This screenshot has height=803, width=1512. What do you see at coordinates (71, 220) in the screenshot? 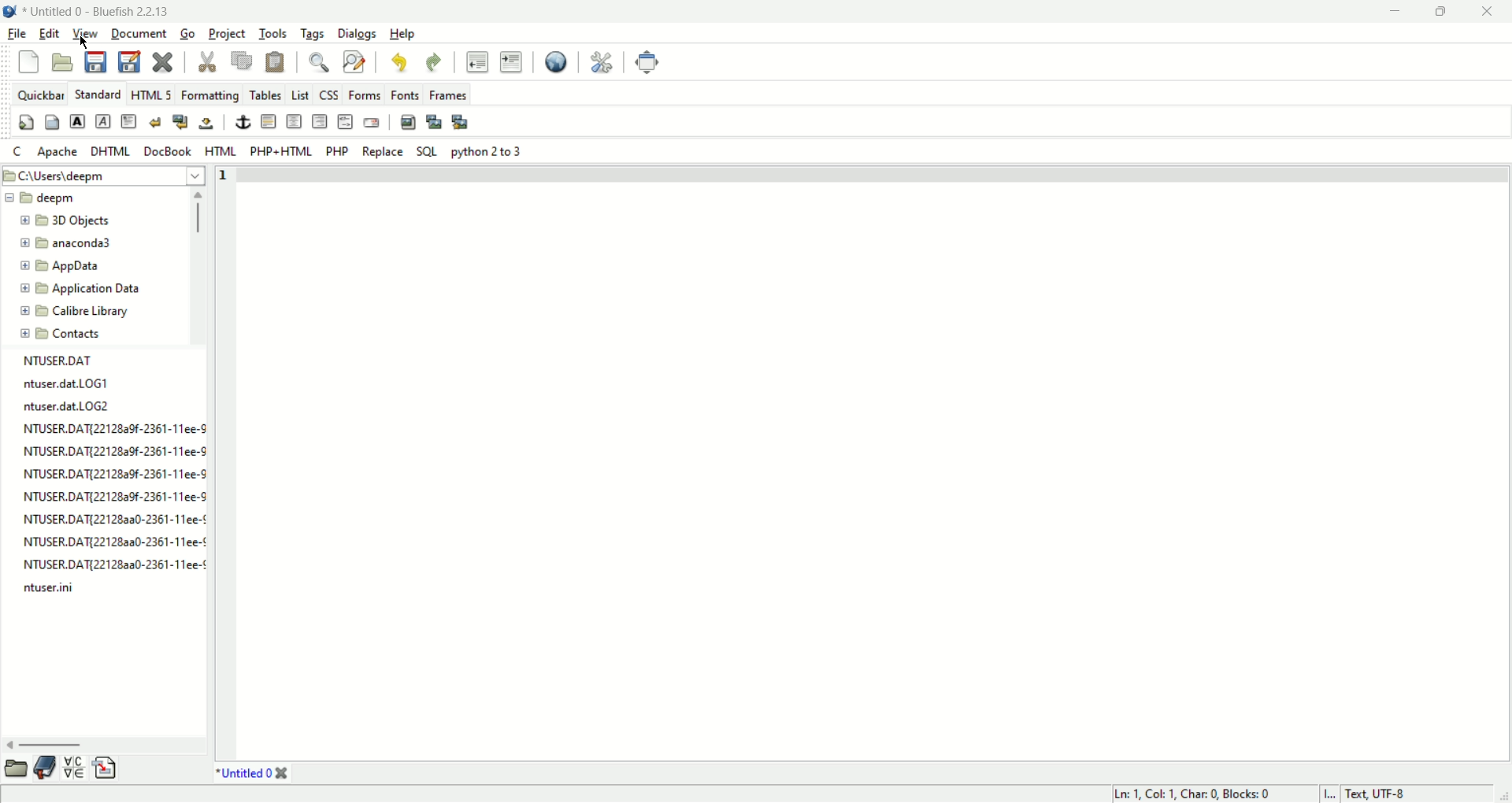
I see `3d Objects` at bounding box center [71, 220].